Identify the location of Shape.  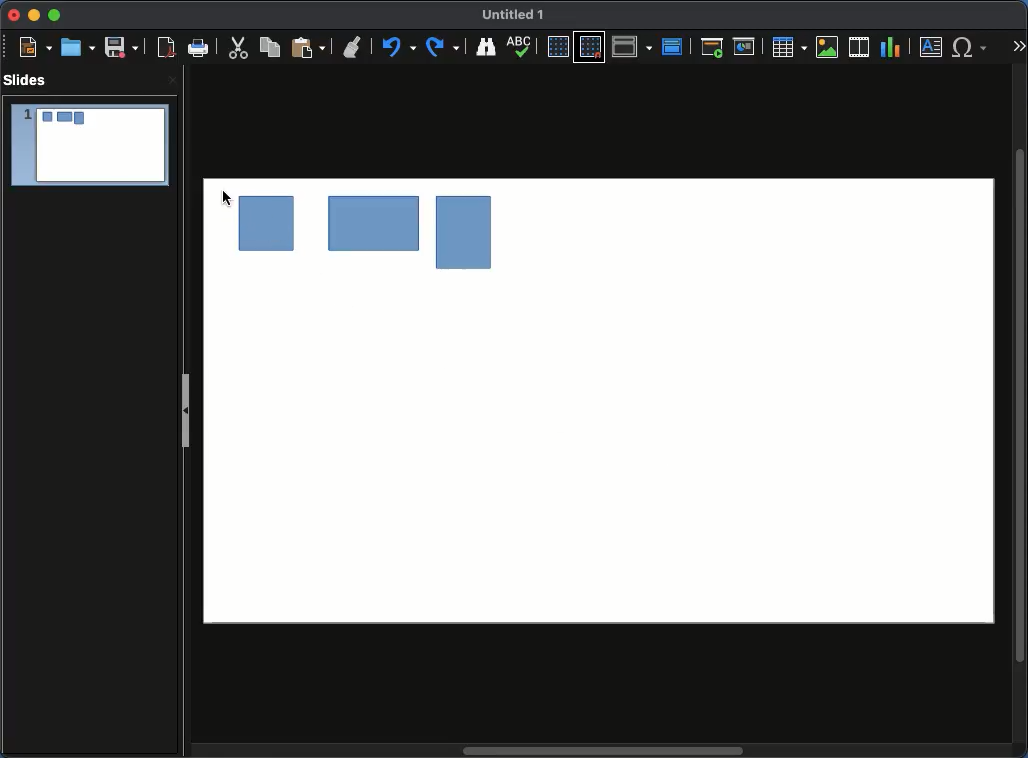
(268, 222).